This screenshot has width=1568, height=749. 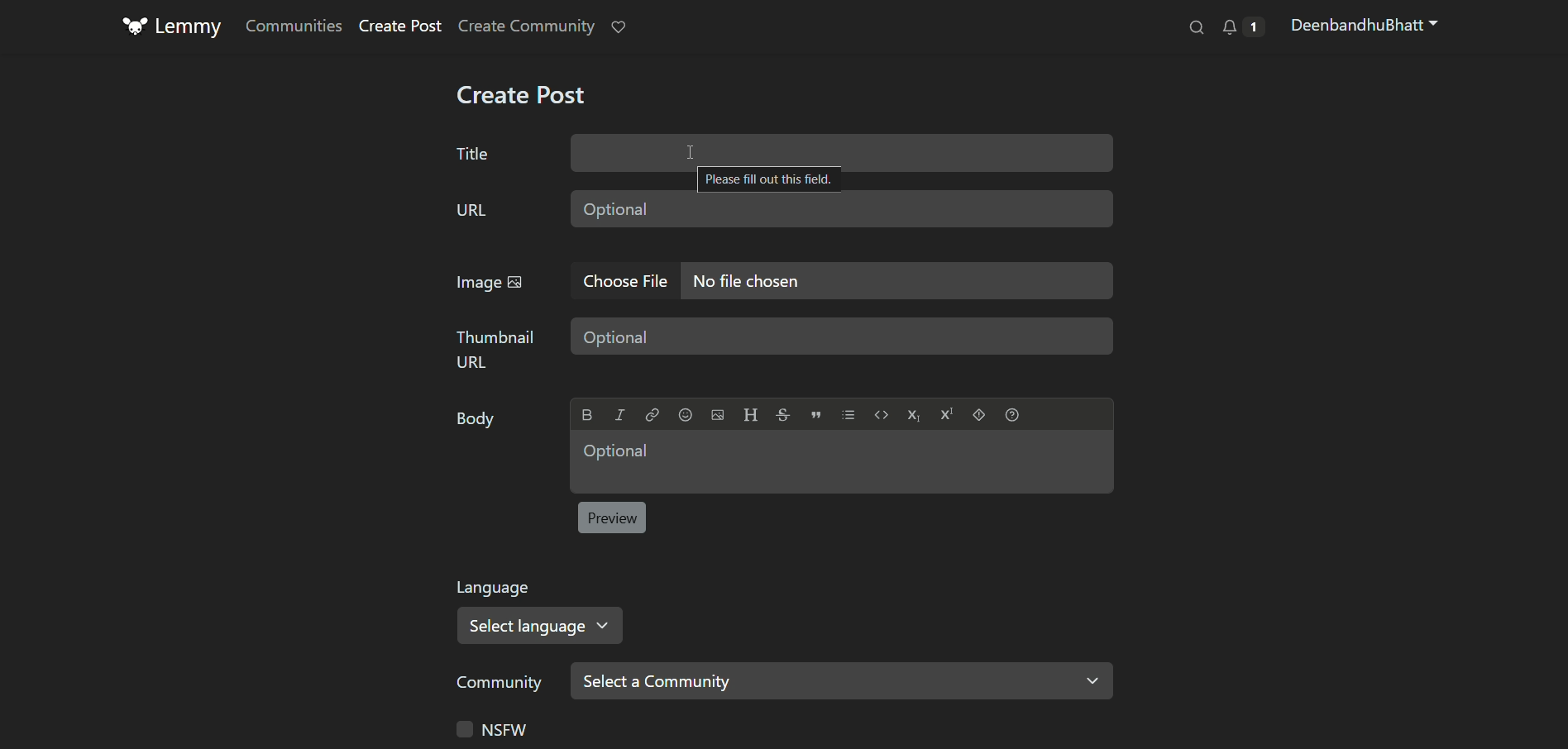 What do you see at coordinates (841, 152) in the screenshot?
I see `text box` at bounding box center [841, 152].